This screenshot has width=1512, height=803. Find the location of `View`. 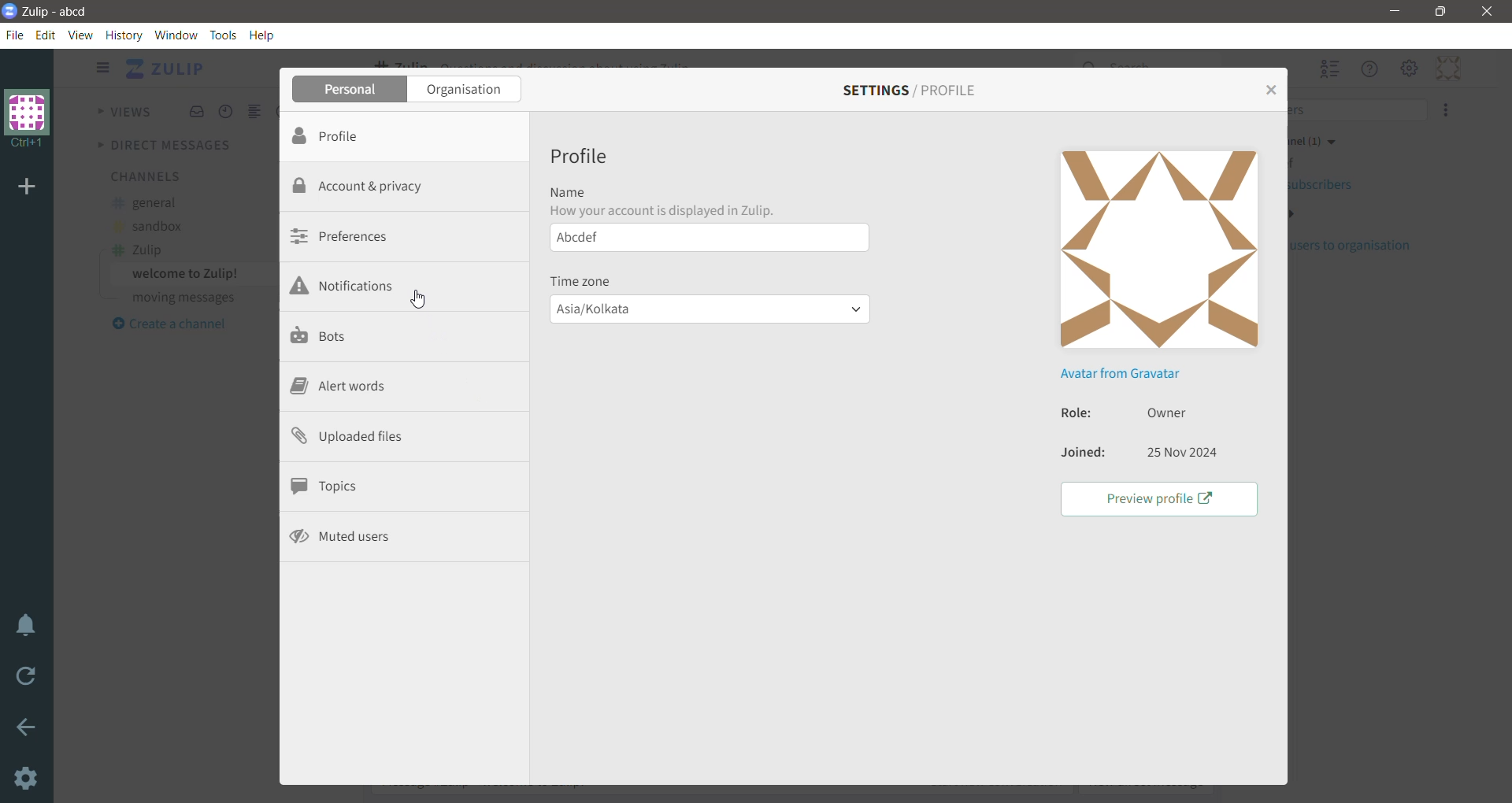

View is located at coordinates (80, 35).